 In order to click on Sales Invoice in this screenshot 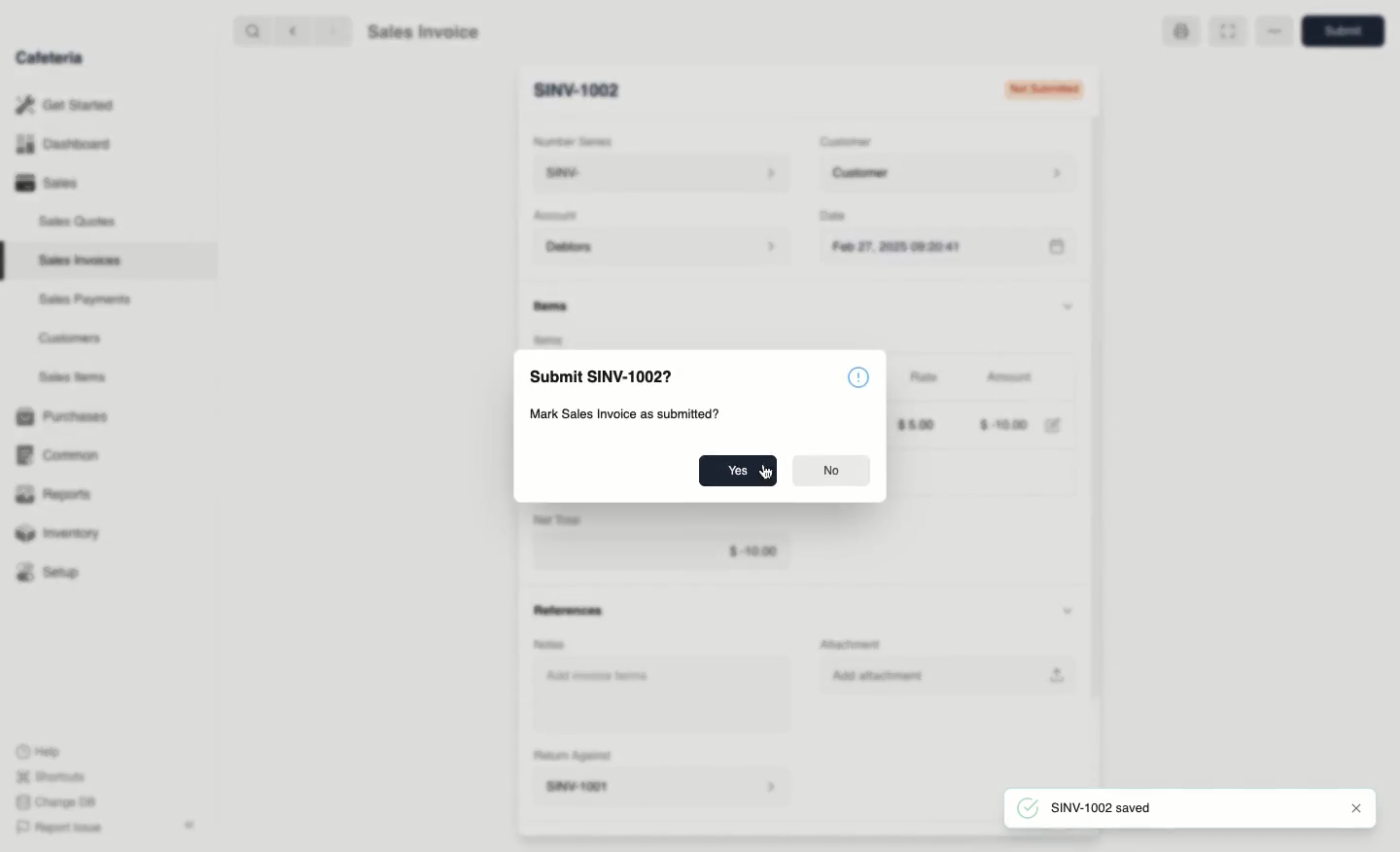, I will do `click(423, 32)`.